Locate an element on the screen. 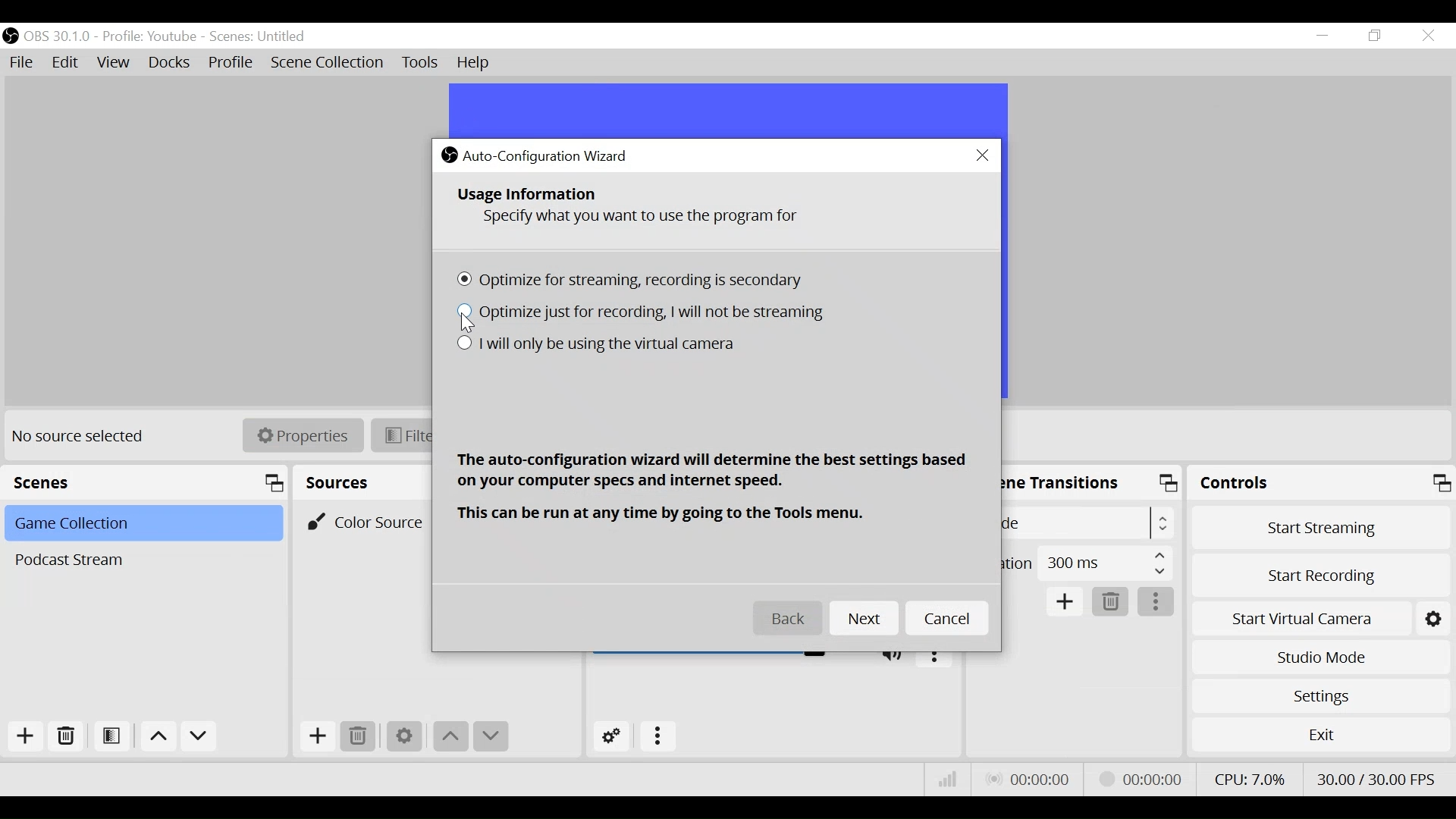 The width and height of the screenshot is (1456, 819). Settings is located at coordinates (404, 738).